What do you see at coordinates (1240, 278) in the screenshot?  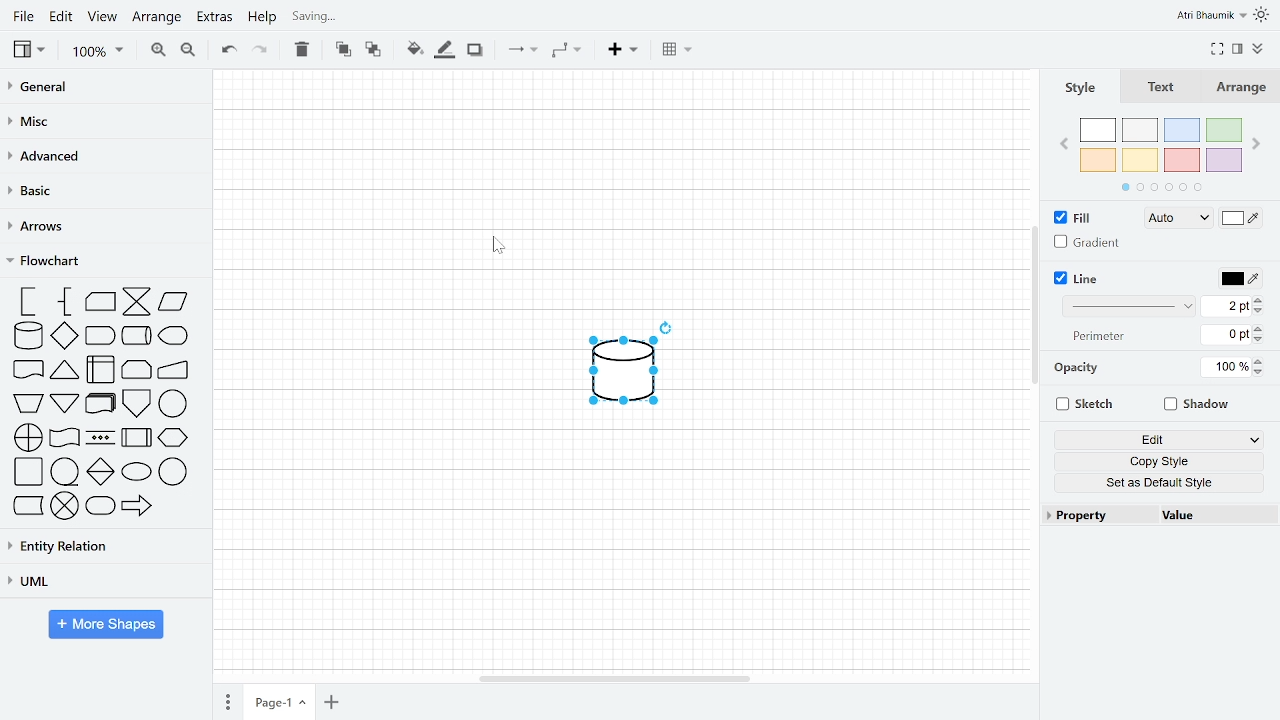 I see `Line color` at bounding box center [1240, 278].